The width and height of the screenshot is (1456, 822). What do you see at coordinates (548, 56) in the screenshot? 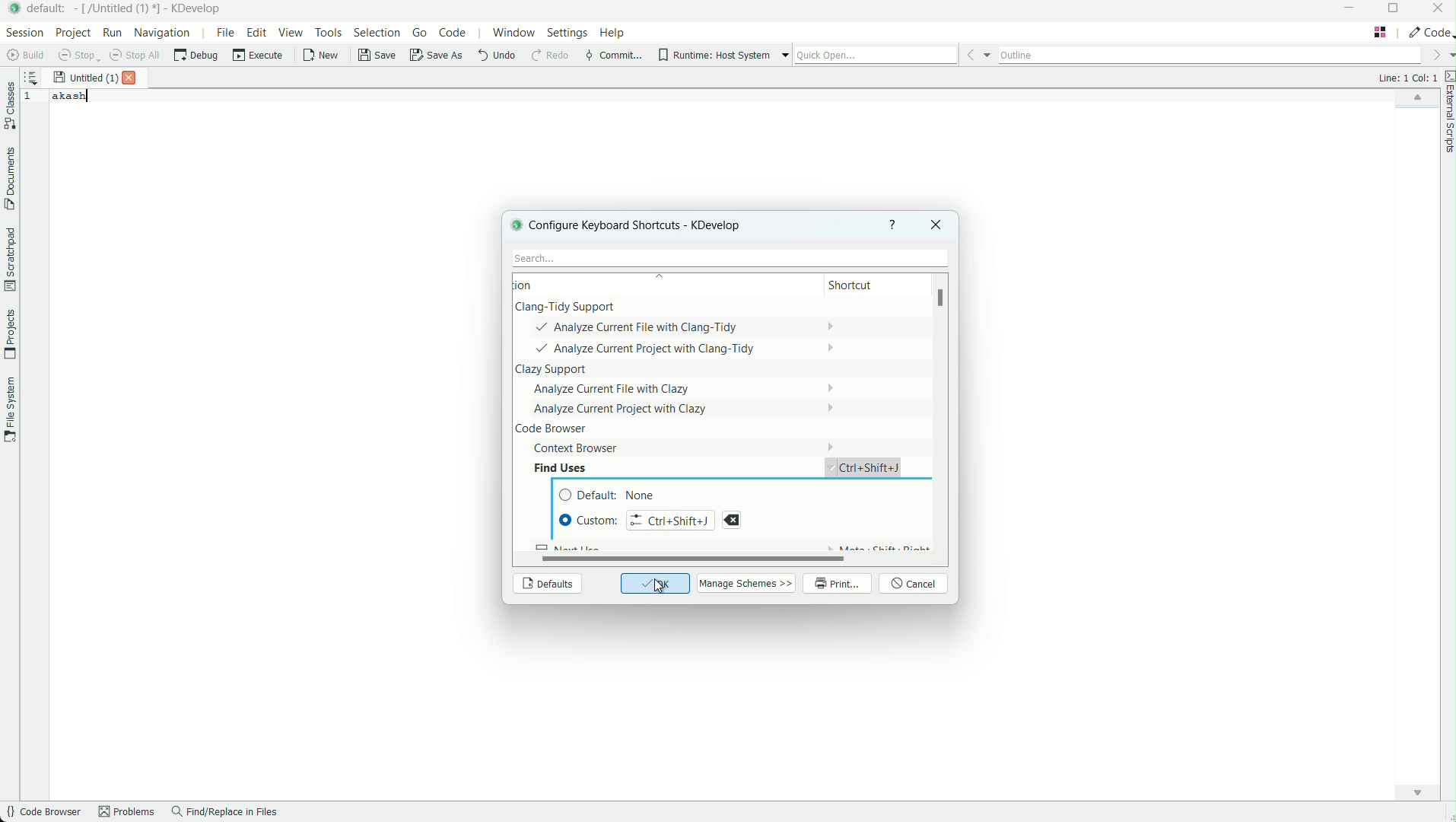
I see `redo` at bounding box center [548, 56].